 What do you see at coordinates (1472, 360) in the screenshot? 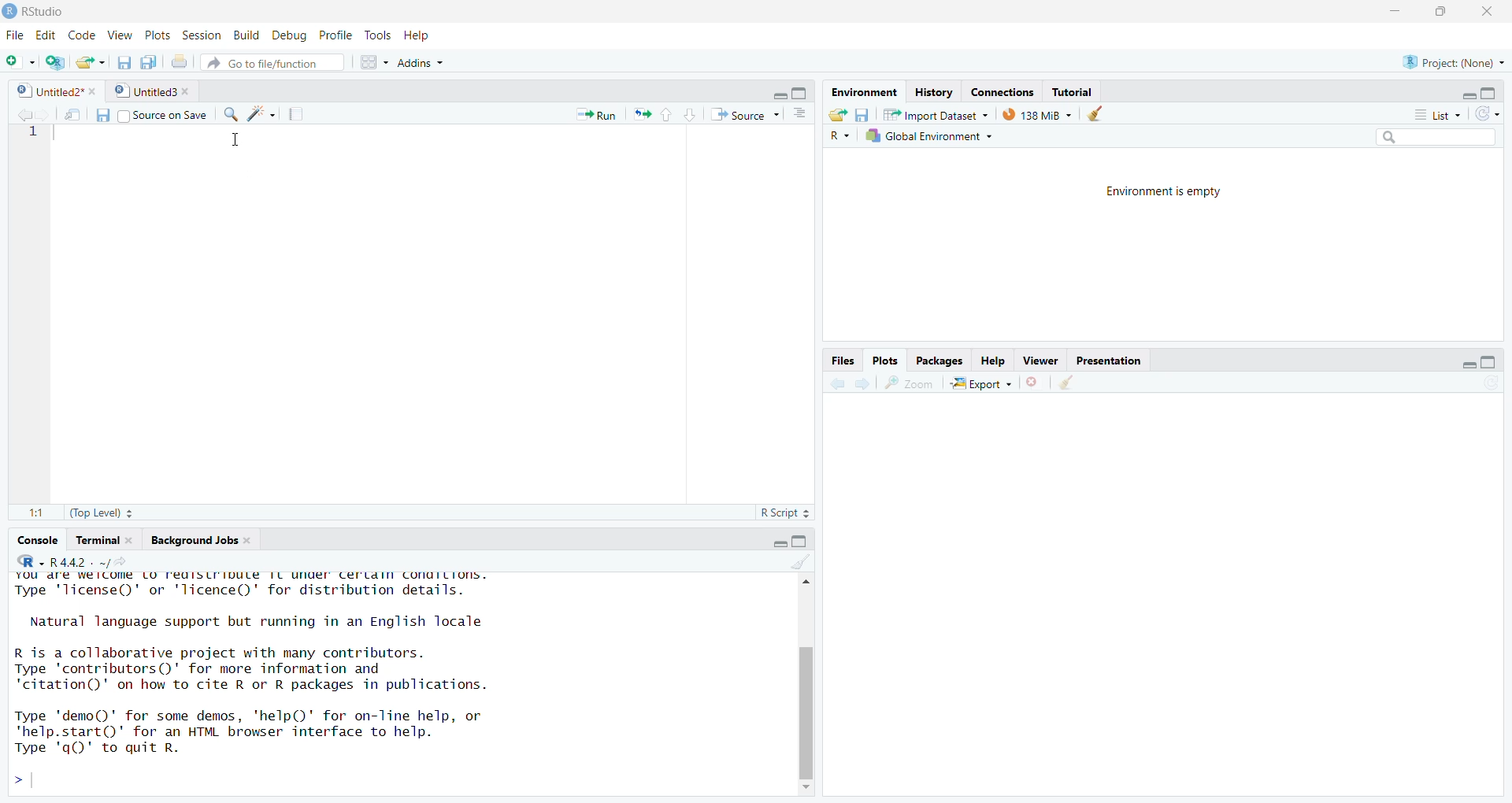
I see `maximize/minimize` at bounding box center [1472, 360].